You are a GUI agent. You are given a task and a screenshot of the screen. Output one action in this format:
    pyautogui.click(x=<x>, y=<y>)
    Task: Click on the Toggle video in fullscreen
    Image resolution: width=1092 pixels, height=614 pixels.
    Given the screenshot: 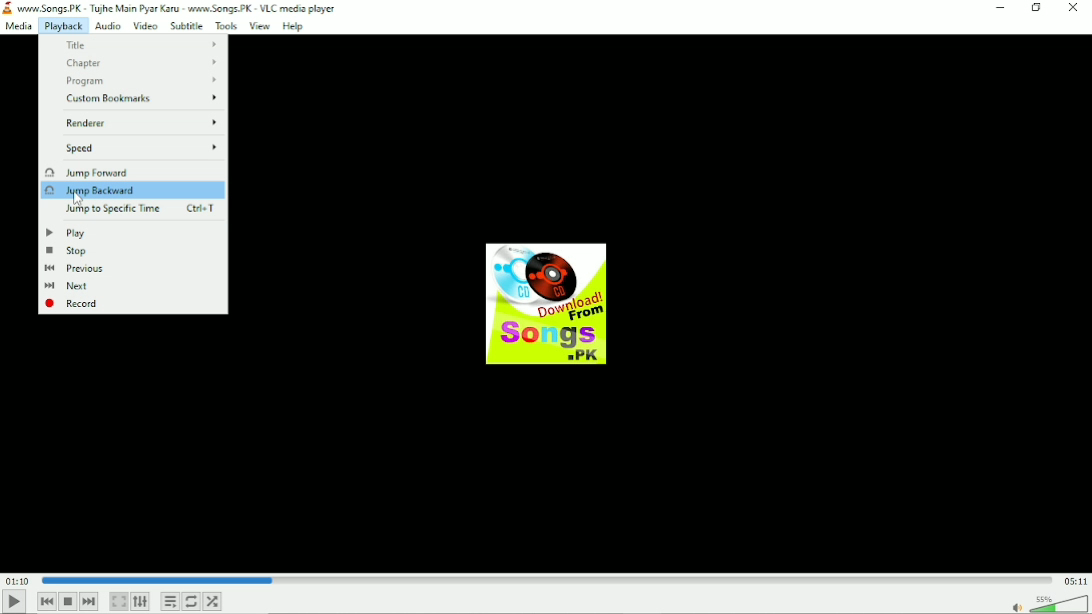 What is the action you would take?
    pyautogui.click(x=118, y=601)
    